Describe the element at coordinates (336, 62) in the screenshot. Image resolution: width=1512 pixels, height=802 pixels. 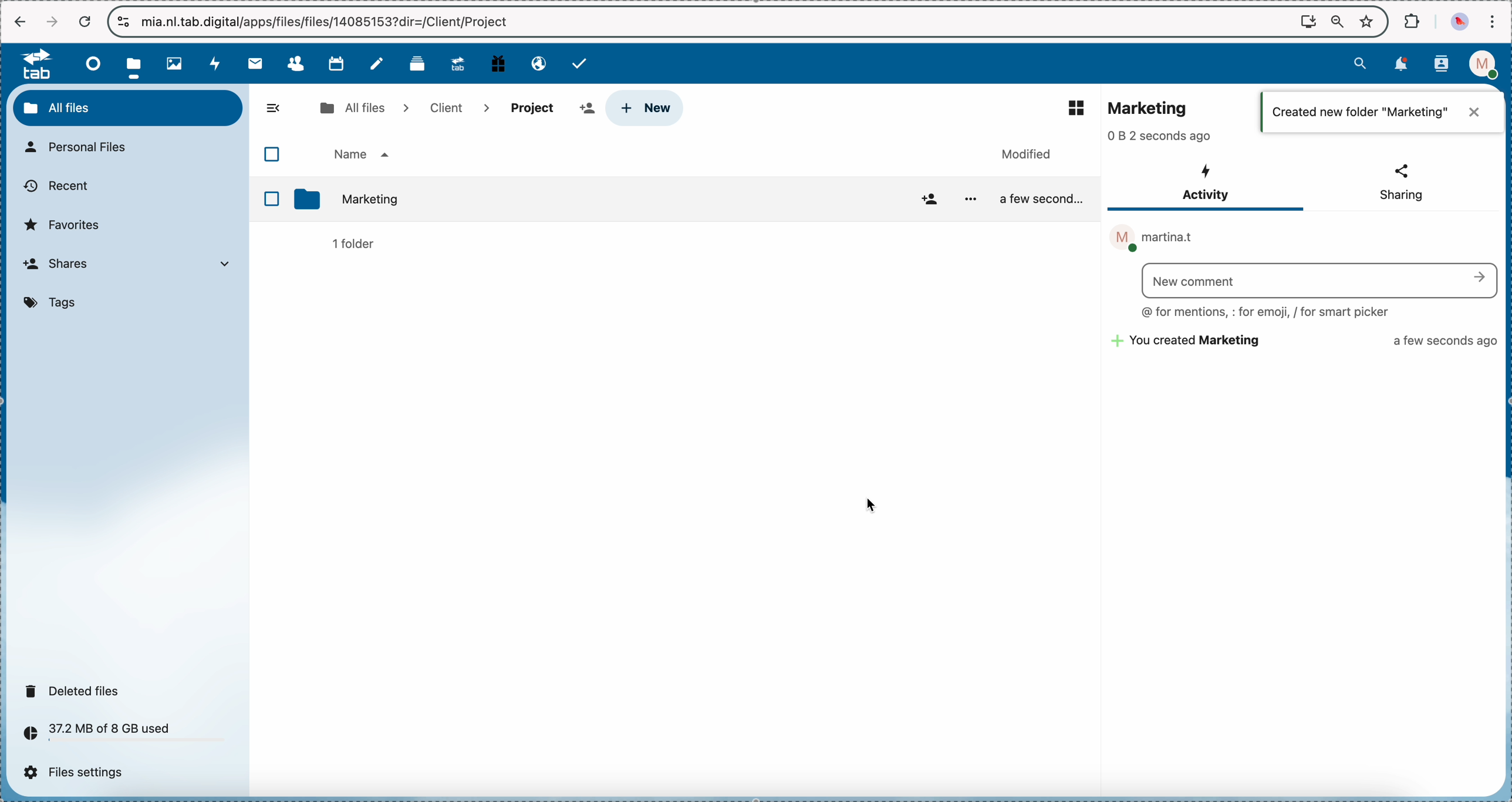
I see `calendar` at that location.